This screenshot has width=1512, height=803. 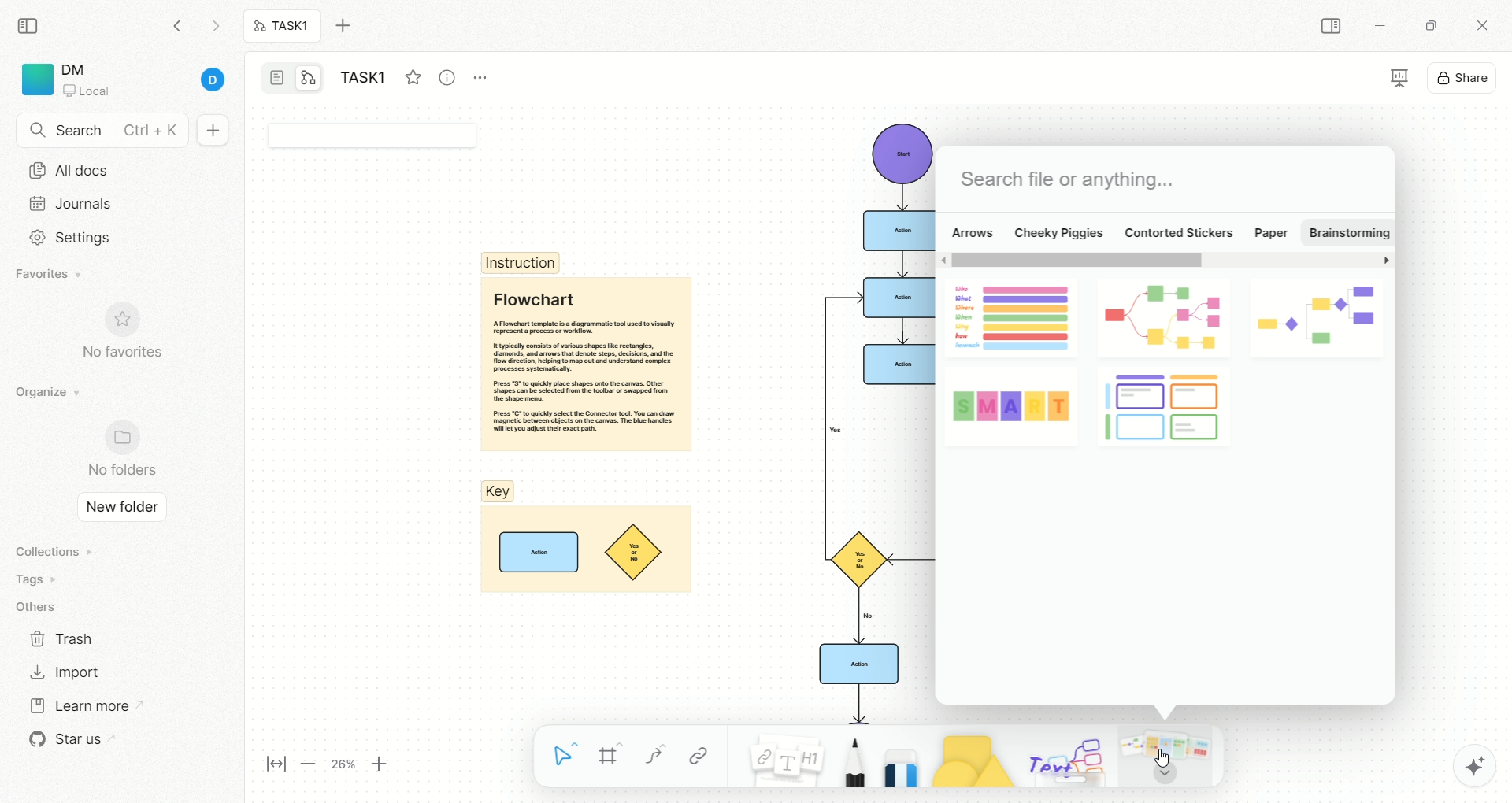 What do you see at coordinates (1179, 231) in the screenshot?
I see `contorted stickers` at bounding box center [1179, 231].